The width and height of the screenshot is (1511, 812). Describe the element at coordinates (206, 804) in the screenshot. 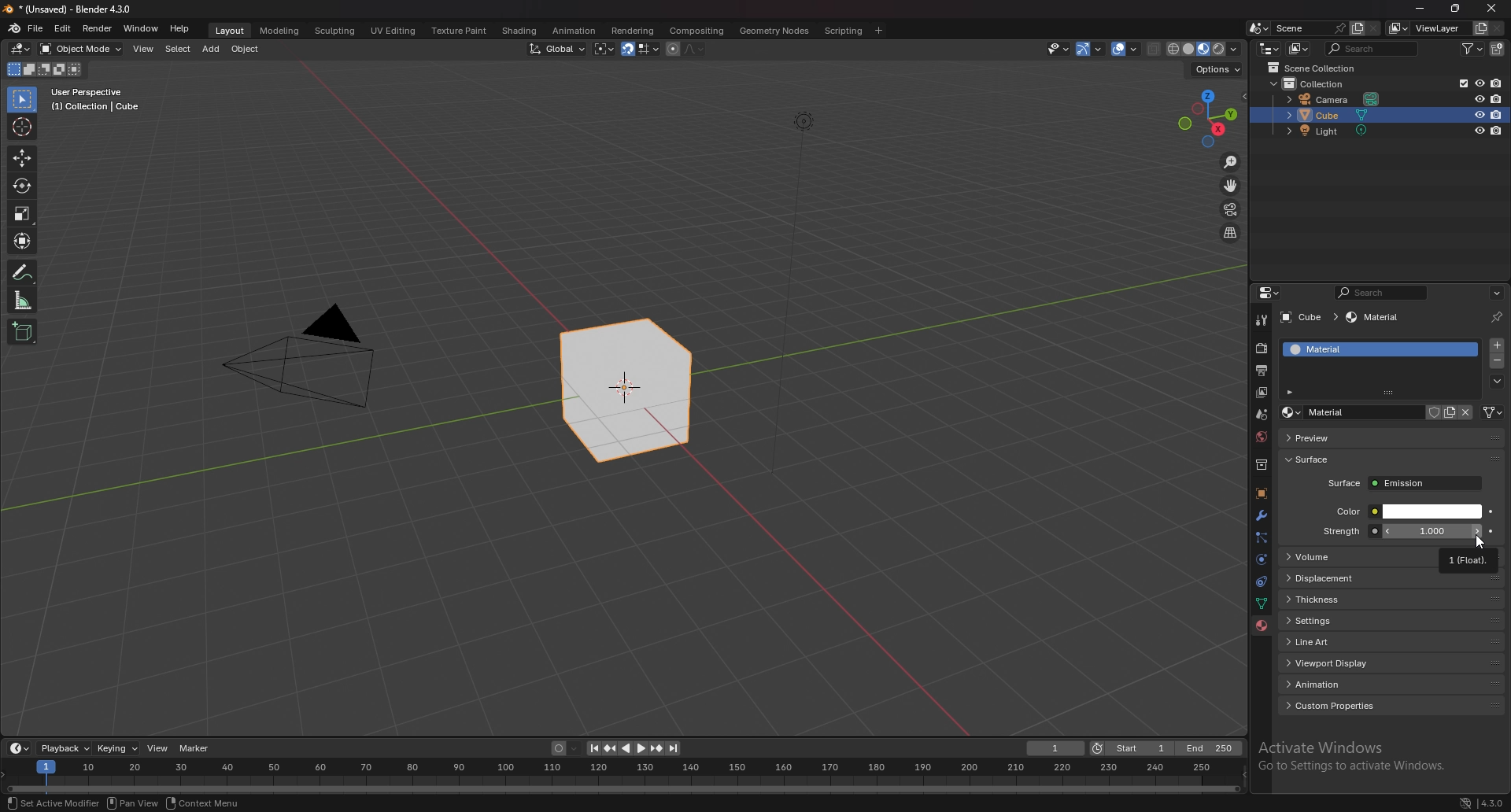

I see `` at that location.